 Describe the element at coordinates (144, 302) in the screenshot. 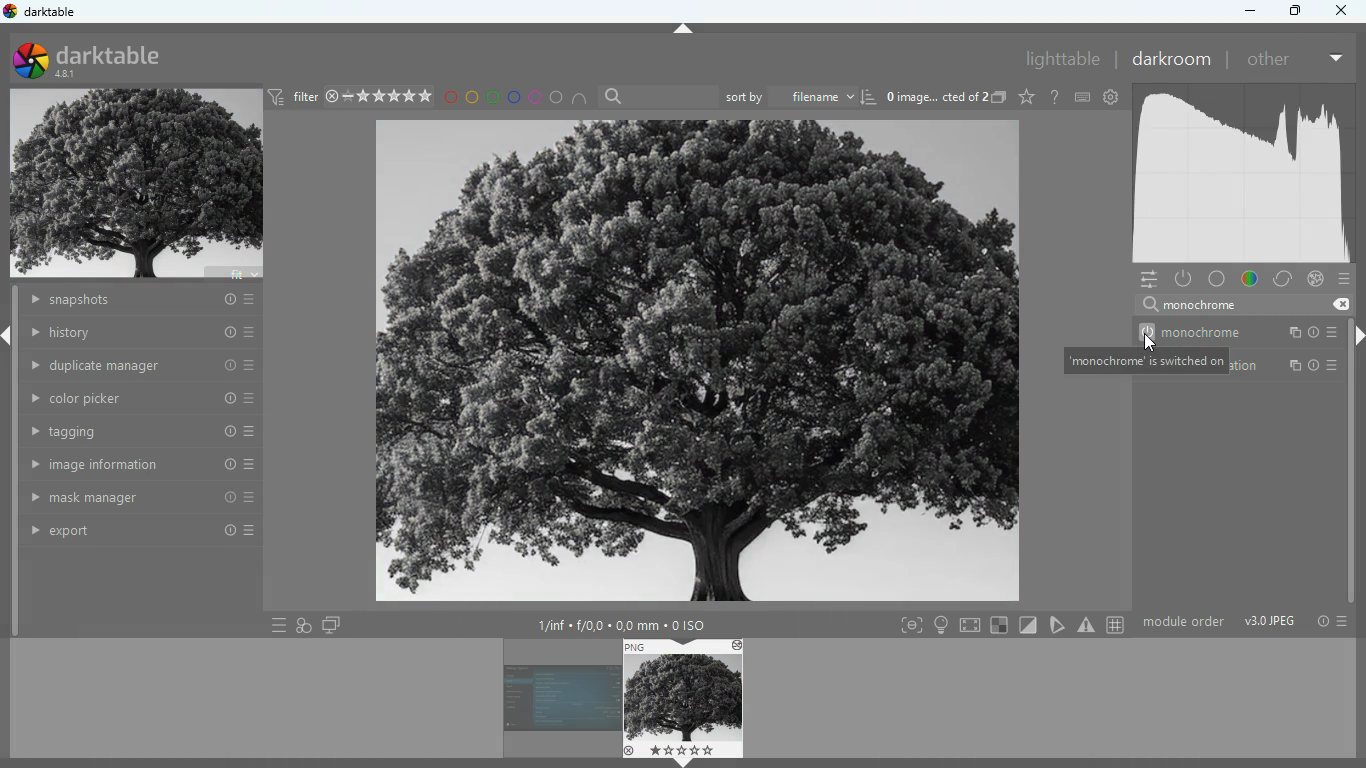

I see `snapshots` at that location.